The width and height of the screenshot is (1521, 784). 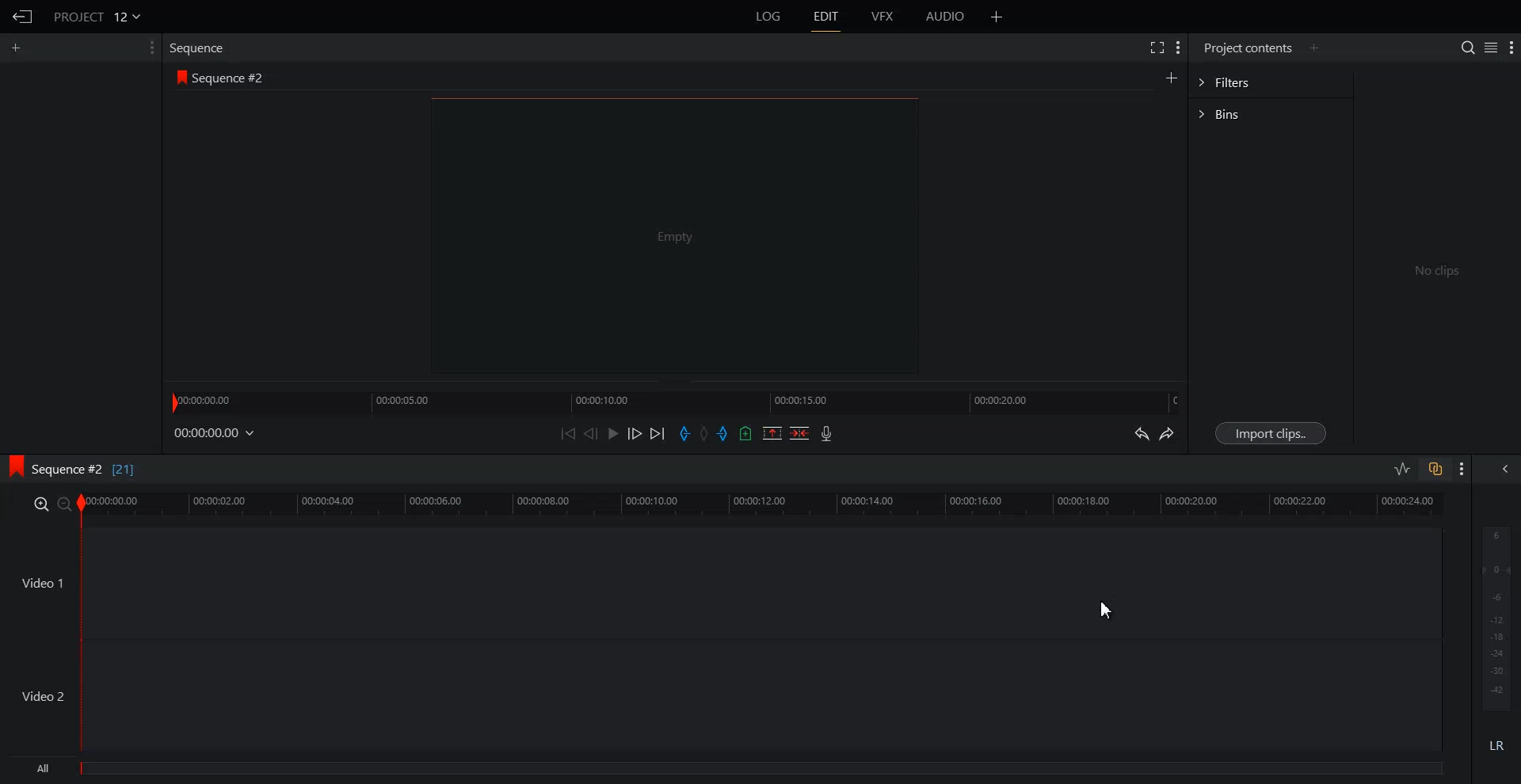 What do you see at coordinates (746, 432) in the screenshot?
I see `Add Cue in the current video` at bounding box center [746, 432].